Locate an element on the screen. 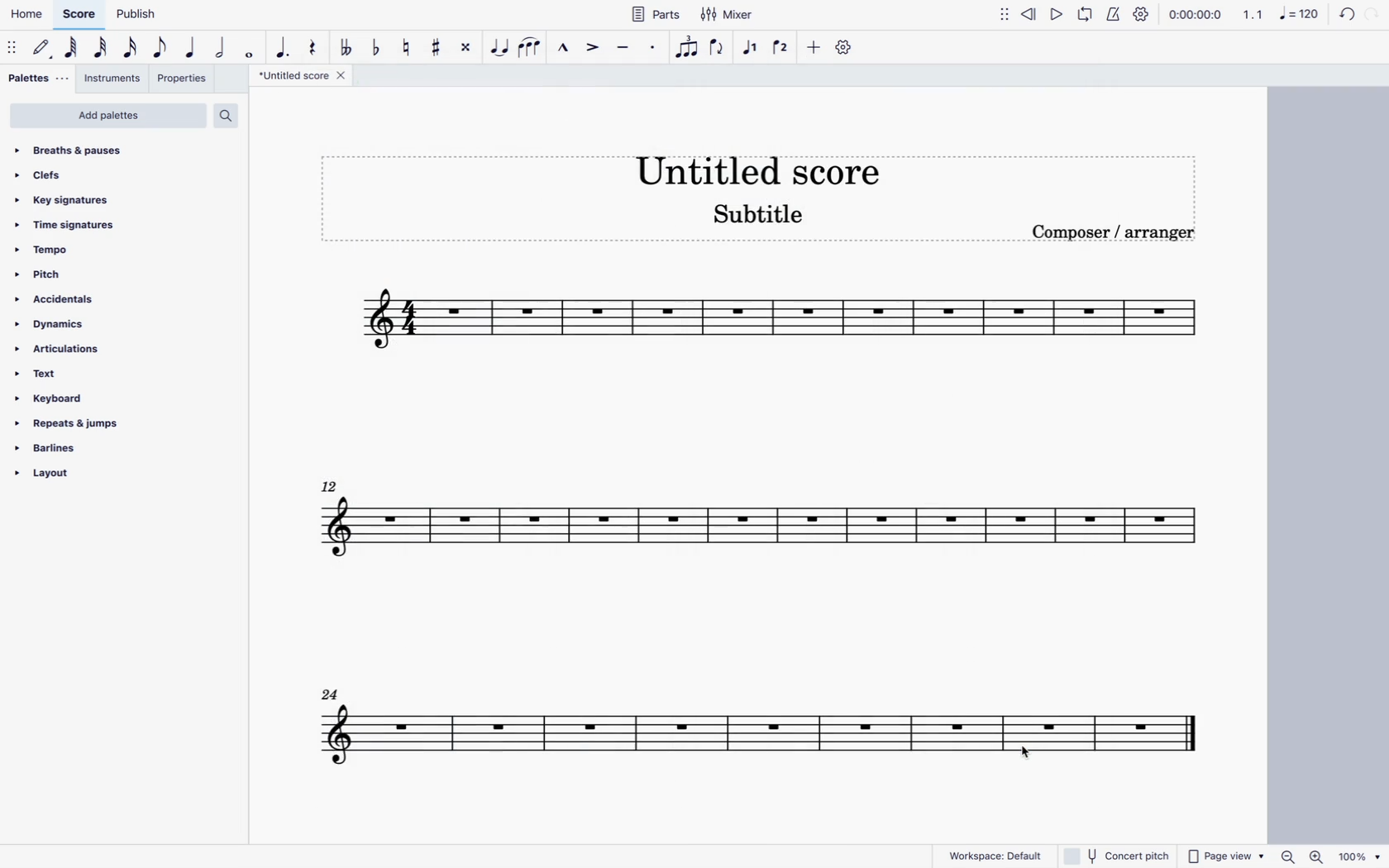 The height and width of the screenshot is (868, 1389). Mixer is located at coordinates (730, 12).